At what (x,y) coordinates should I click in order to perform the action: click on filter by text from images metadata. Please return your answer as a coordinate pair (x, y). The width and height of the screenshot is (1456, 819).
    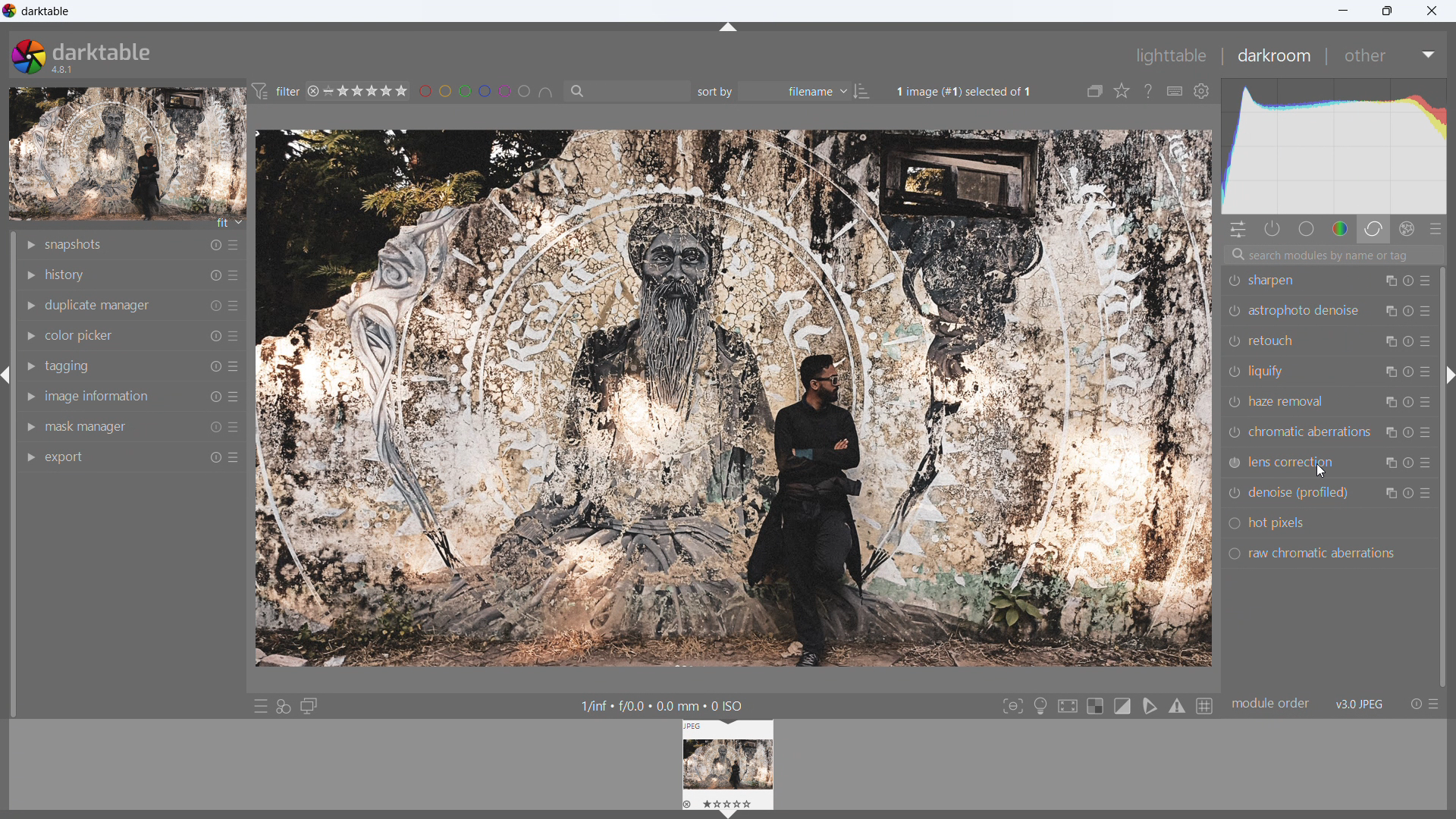
    Looking at the image, I should click on (626, 91).